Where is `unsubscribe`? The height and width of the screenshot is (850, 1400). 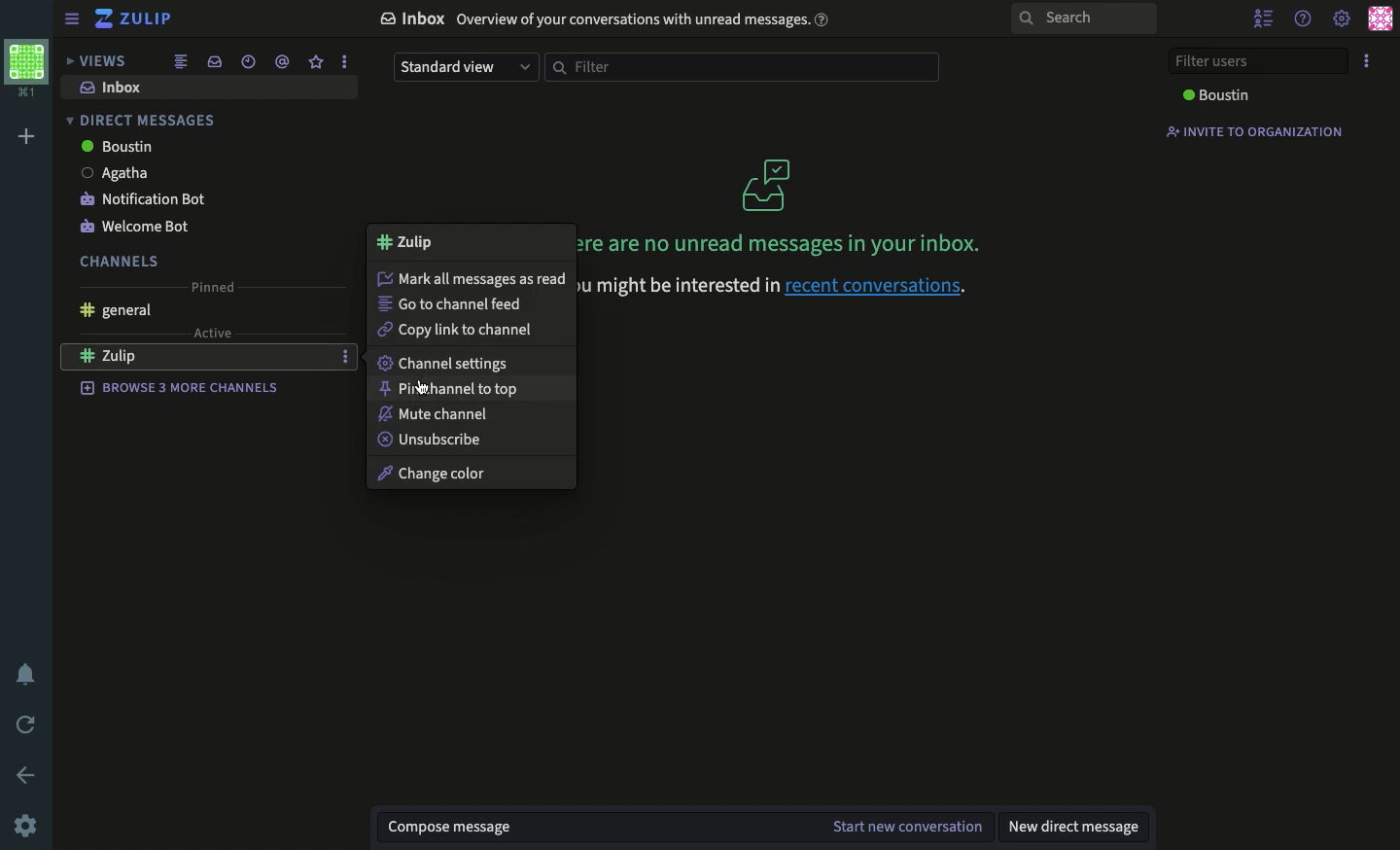
unsubscribe is located at coordinates (434, 442).